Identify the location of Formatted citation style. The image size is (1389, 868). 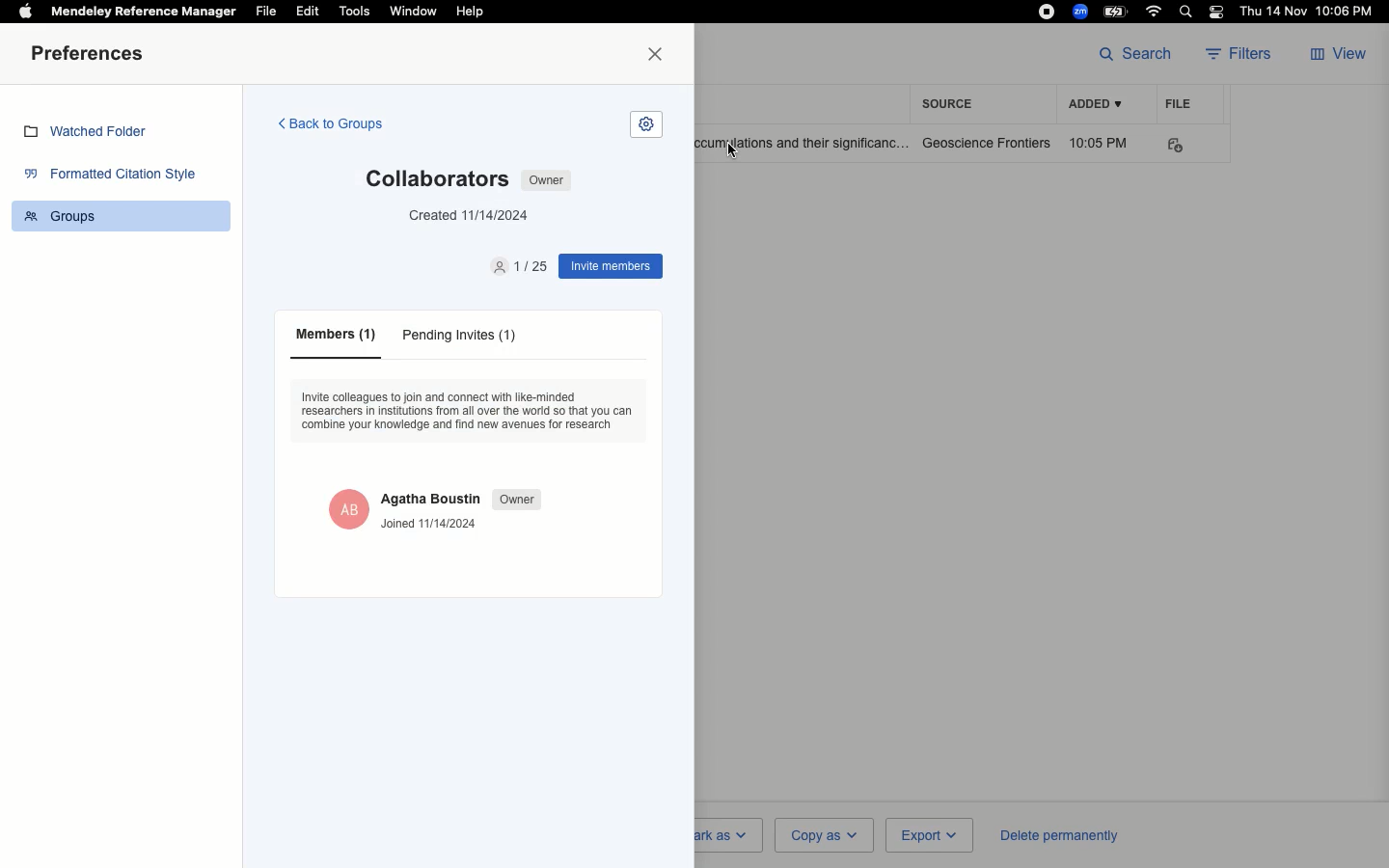
(116, 176).